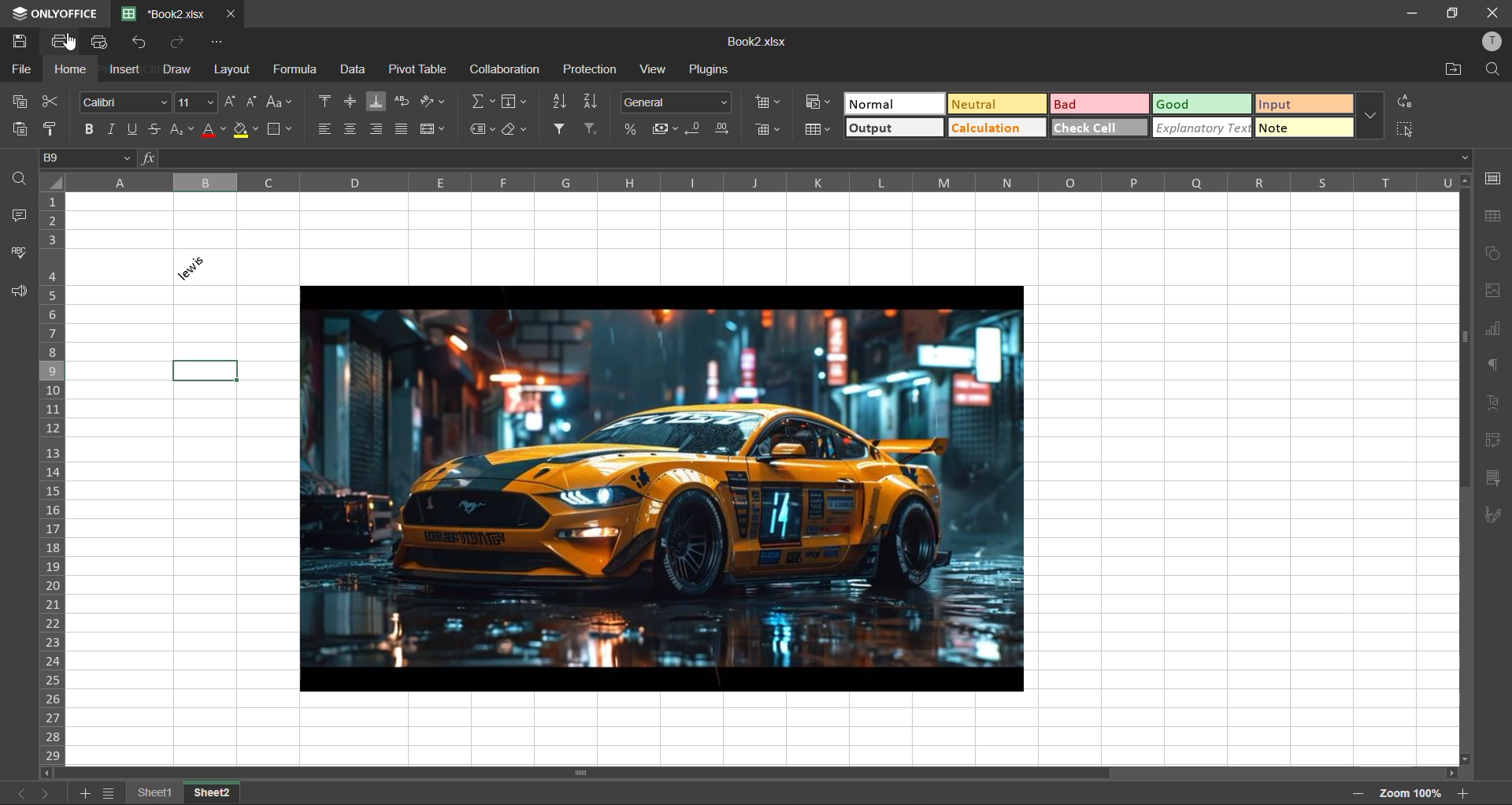 The height and width of the screenshot is (805, 1512). I want to click on insert, so click(127, 71).